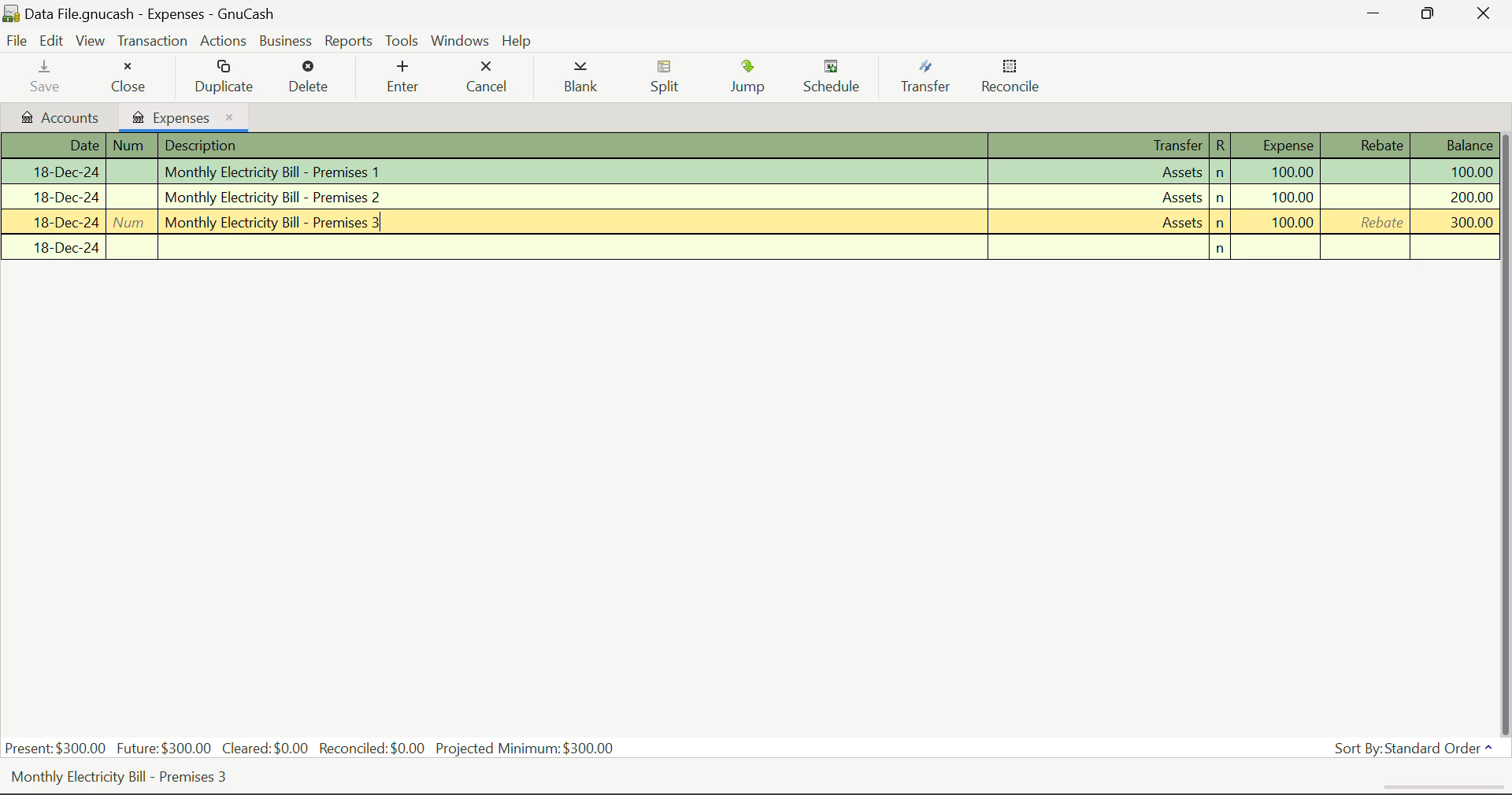  I want to click on Transactions Column Headings, so click(753, 146).